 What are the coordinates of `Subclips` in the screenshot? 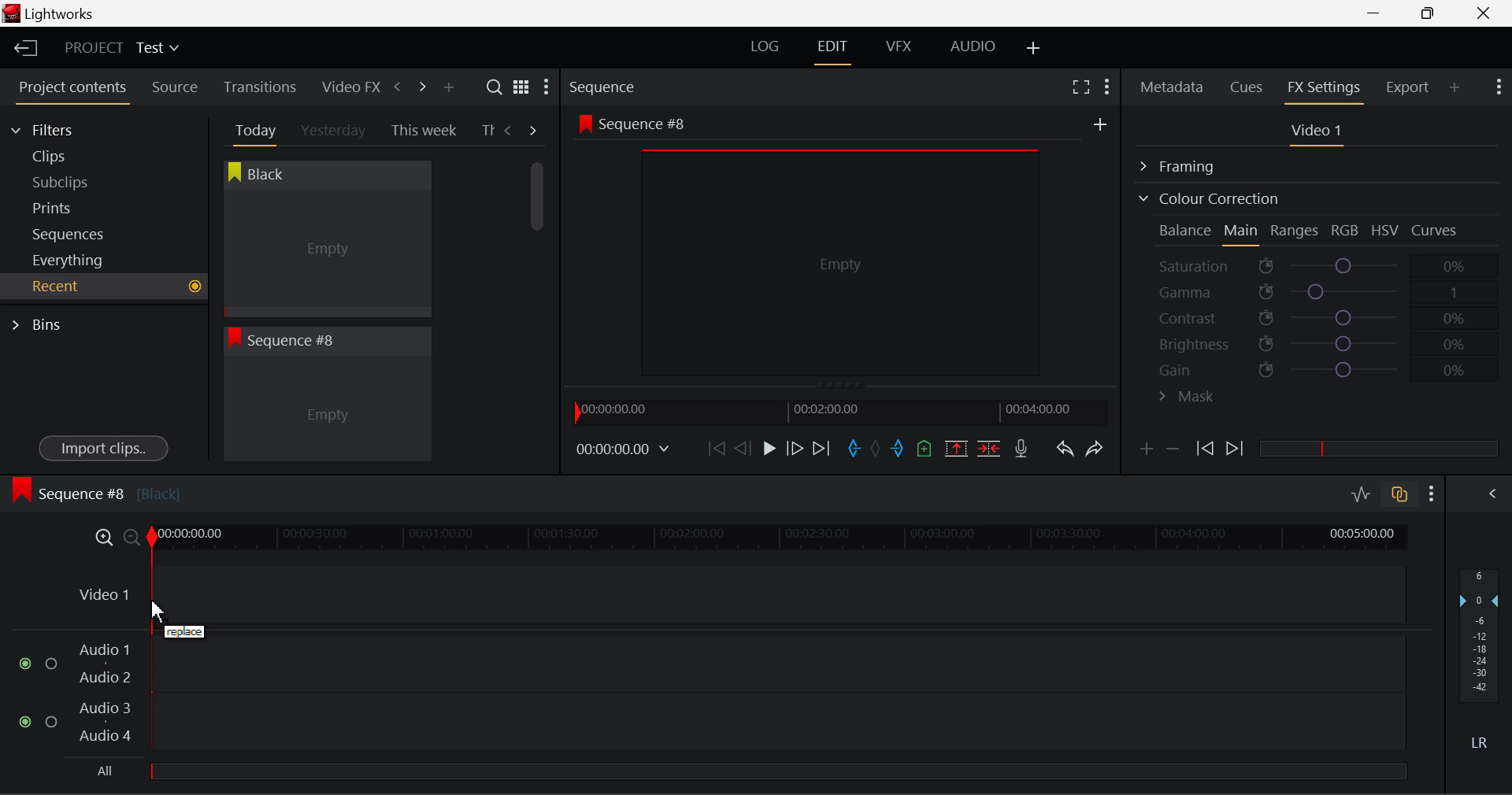 It's located at (76, 182).